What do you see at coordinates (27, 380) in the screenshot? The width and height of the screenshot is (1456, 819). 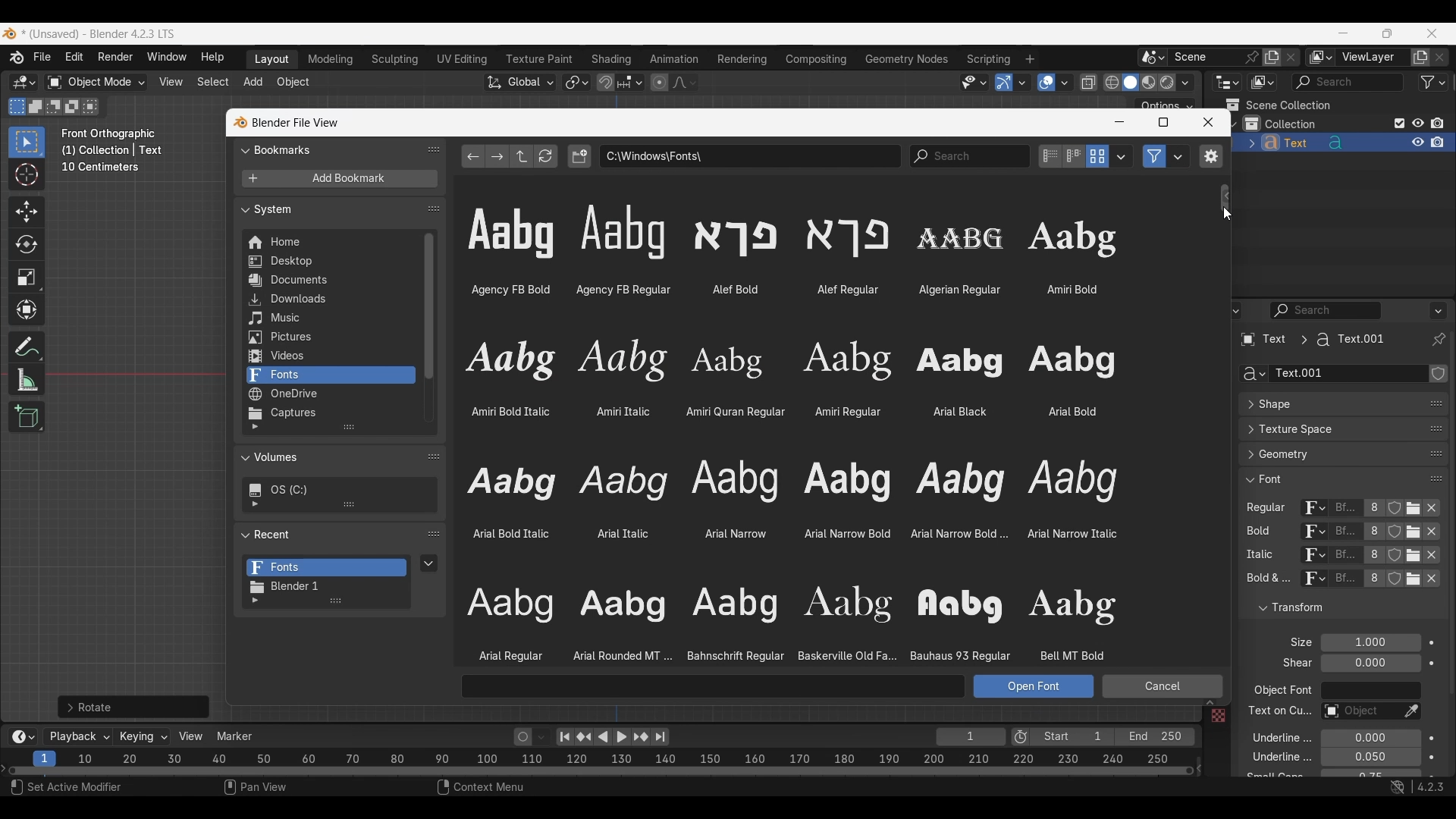 I see `Measure` at bounding box center [27, 380].